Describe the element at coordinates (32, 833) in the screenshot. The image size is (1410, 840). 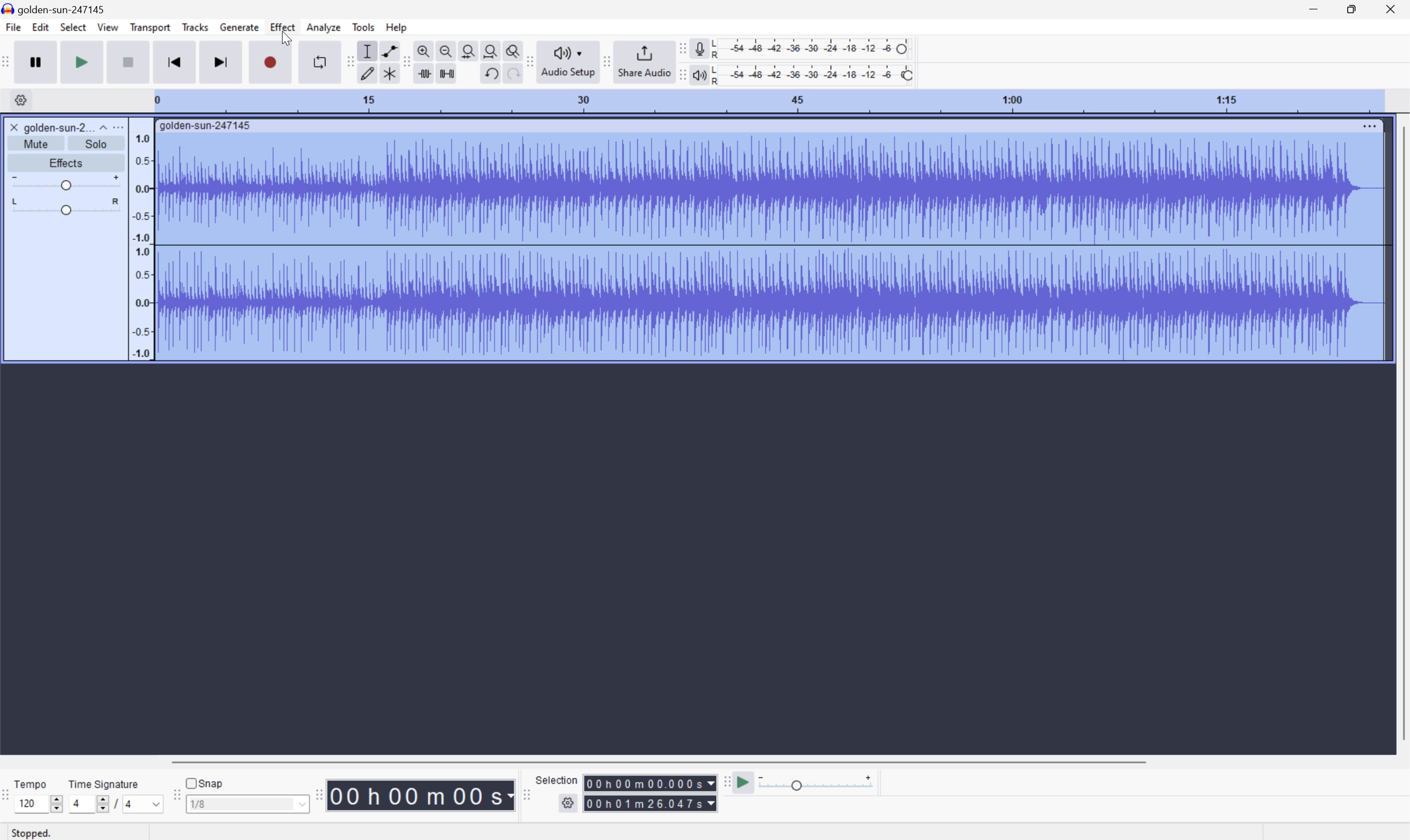
I see `Stopped` at that location.